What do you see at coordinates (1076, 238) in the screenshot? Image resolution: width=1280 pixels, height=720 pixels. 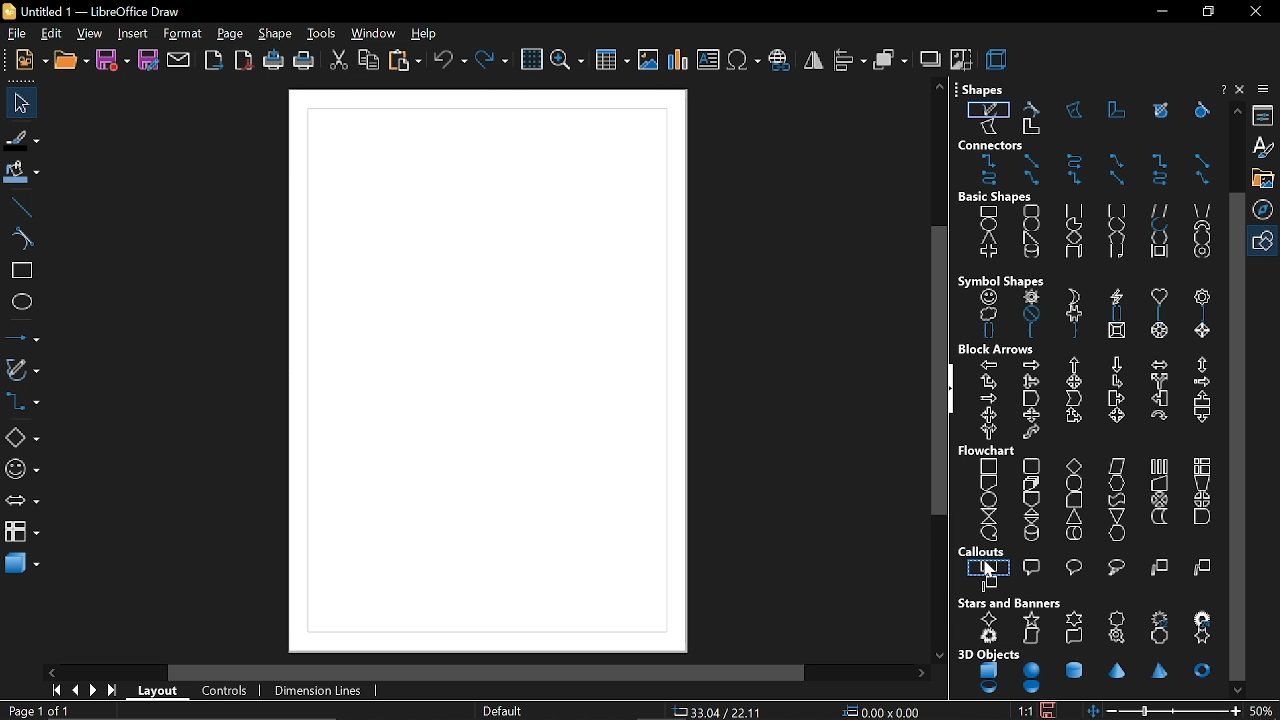 I see `diamond` at bounding box center [1076, 238].